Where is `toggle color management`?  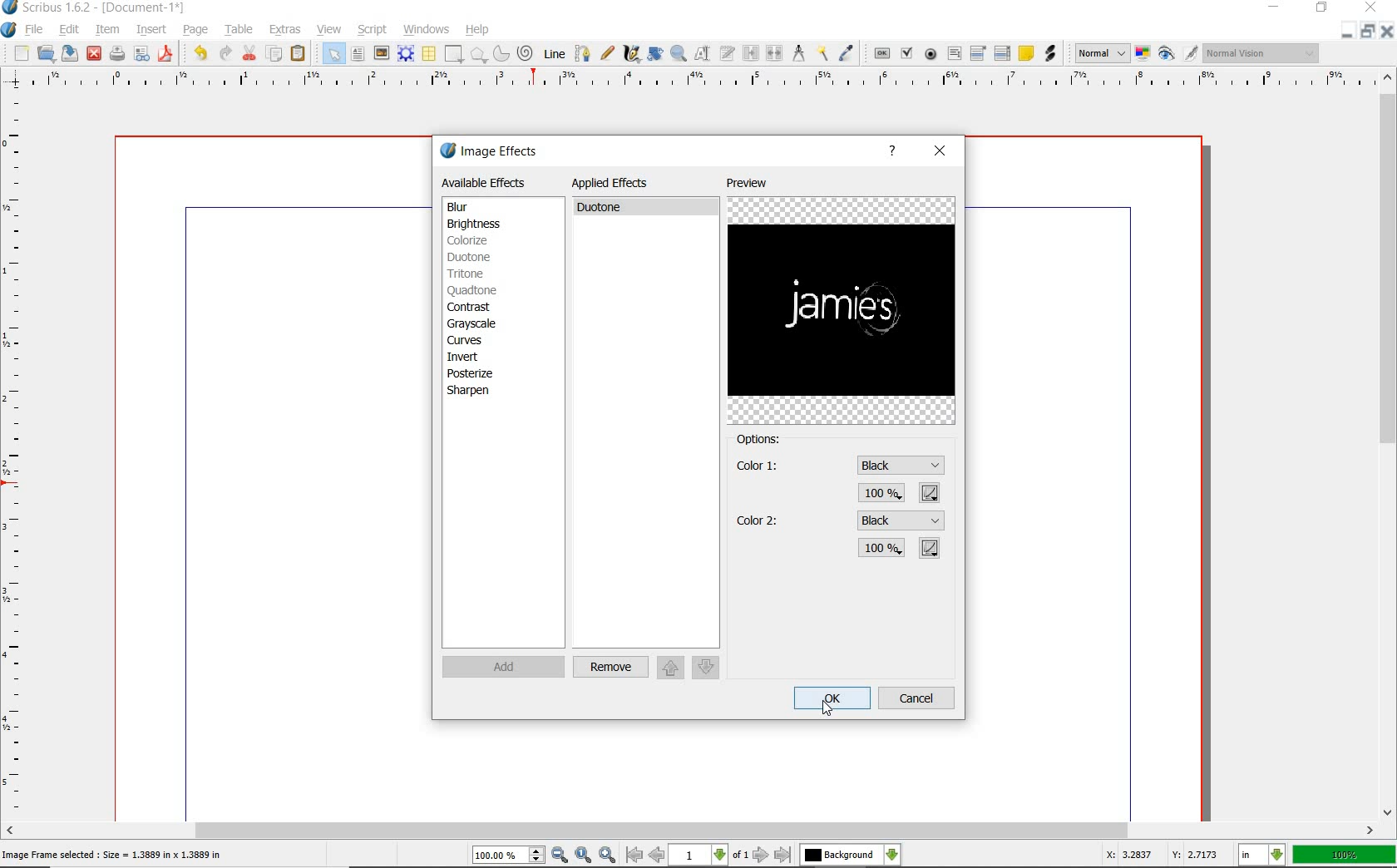 toggle color management is located at coordinates (1143, 53).